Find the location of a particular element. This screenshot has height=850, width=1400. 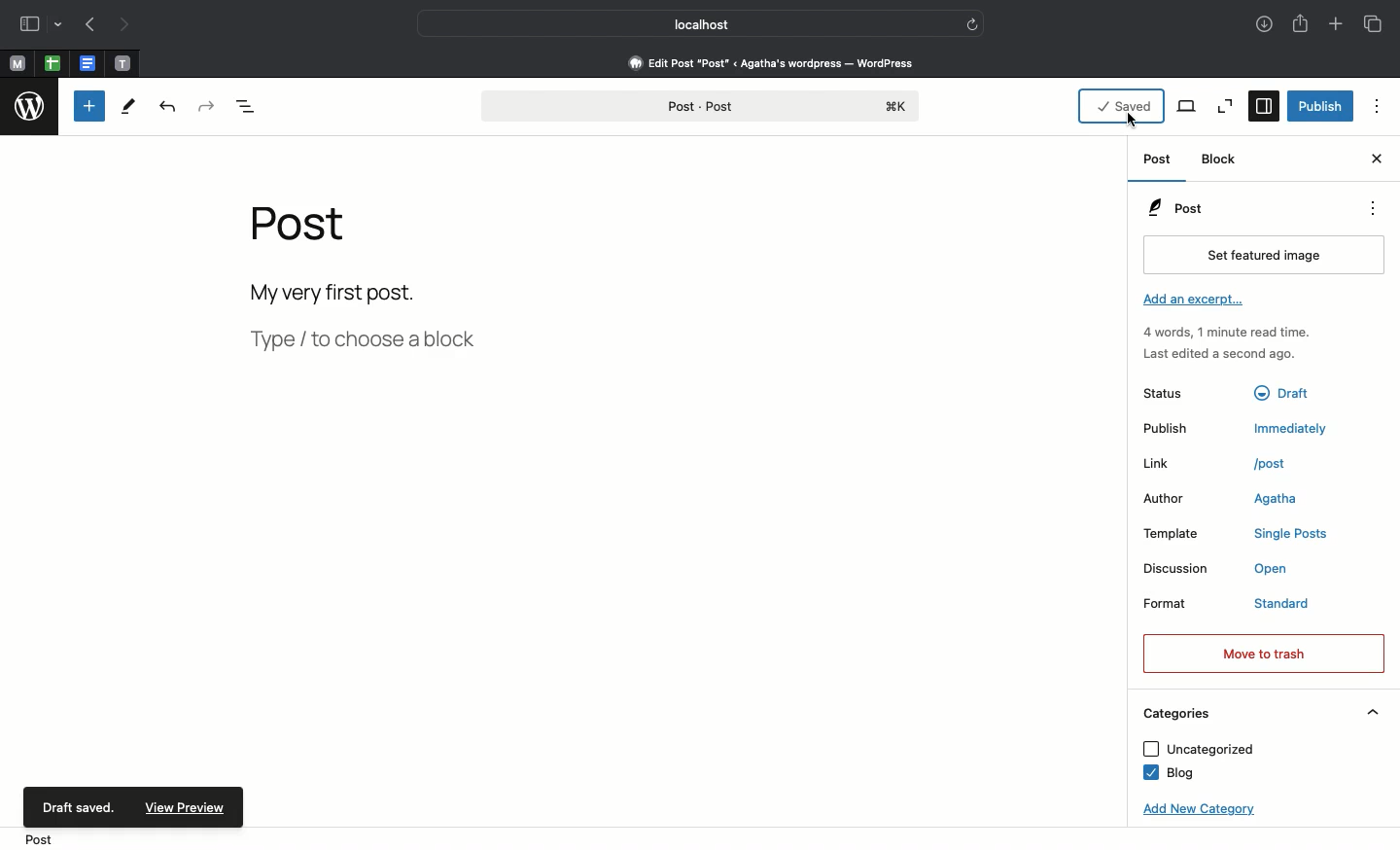

Post is located at coordinates (1156, 162).